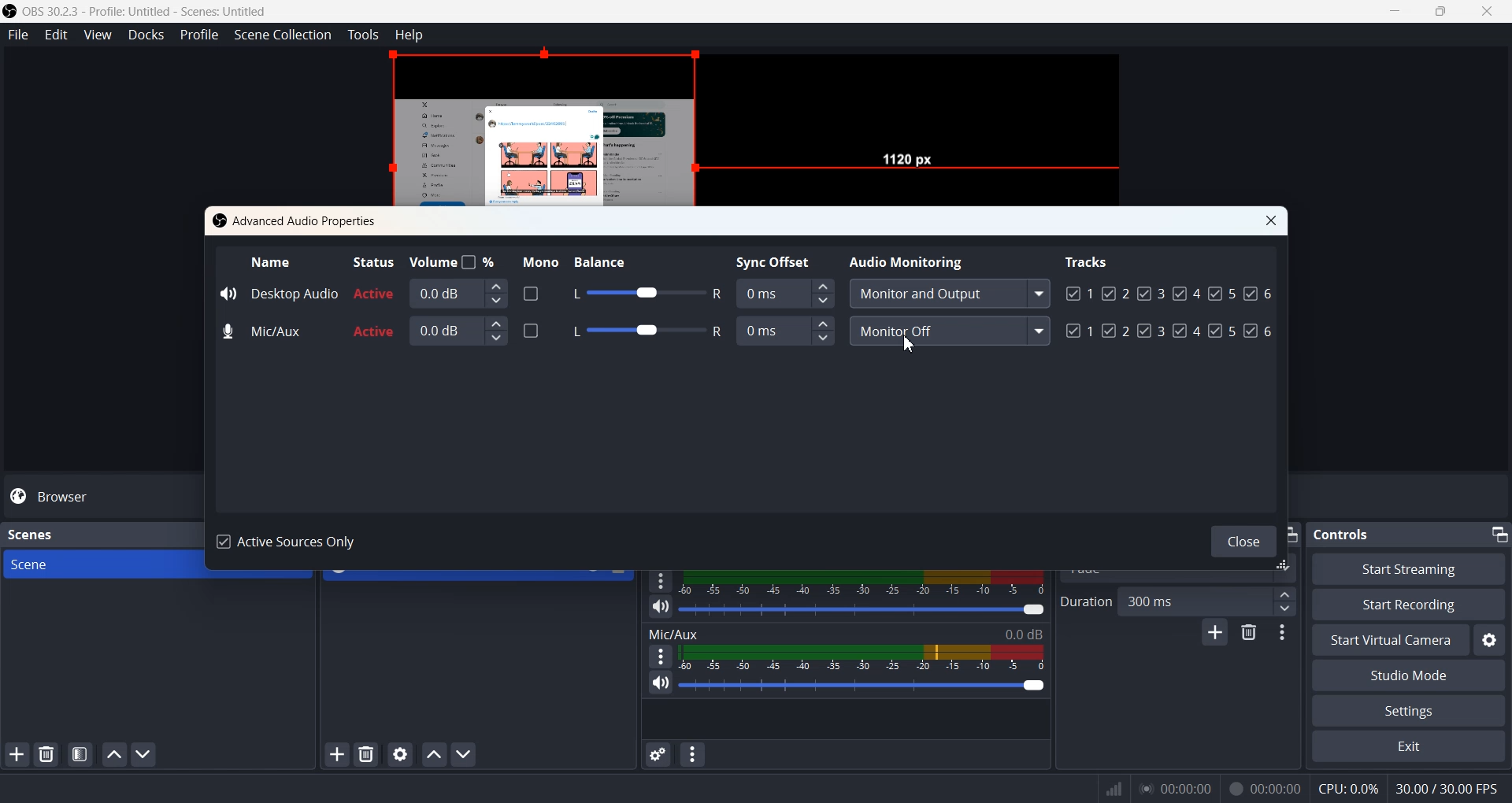 Image resolution: width=1512 pixels, height=803 pixels. I want to click on Close, so click(1272, 221).